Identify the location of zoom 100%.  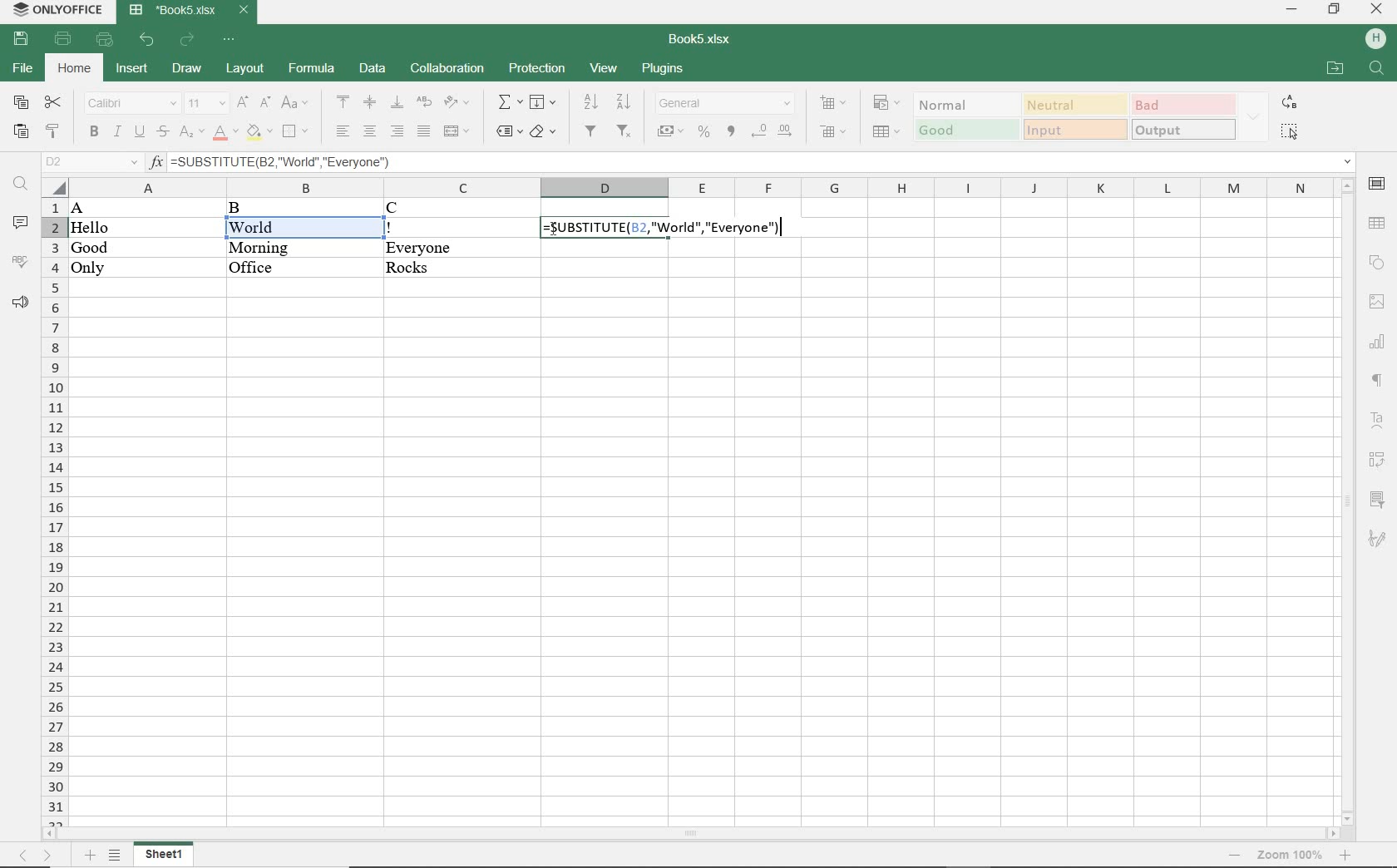
(1291, 855).